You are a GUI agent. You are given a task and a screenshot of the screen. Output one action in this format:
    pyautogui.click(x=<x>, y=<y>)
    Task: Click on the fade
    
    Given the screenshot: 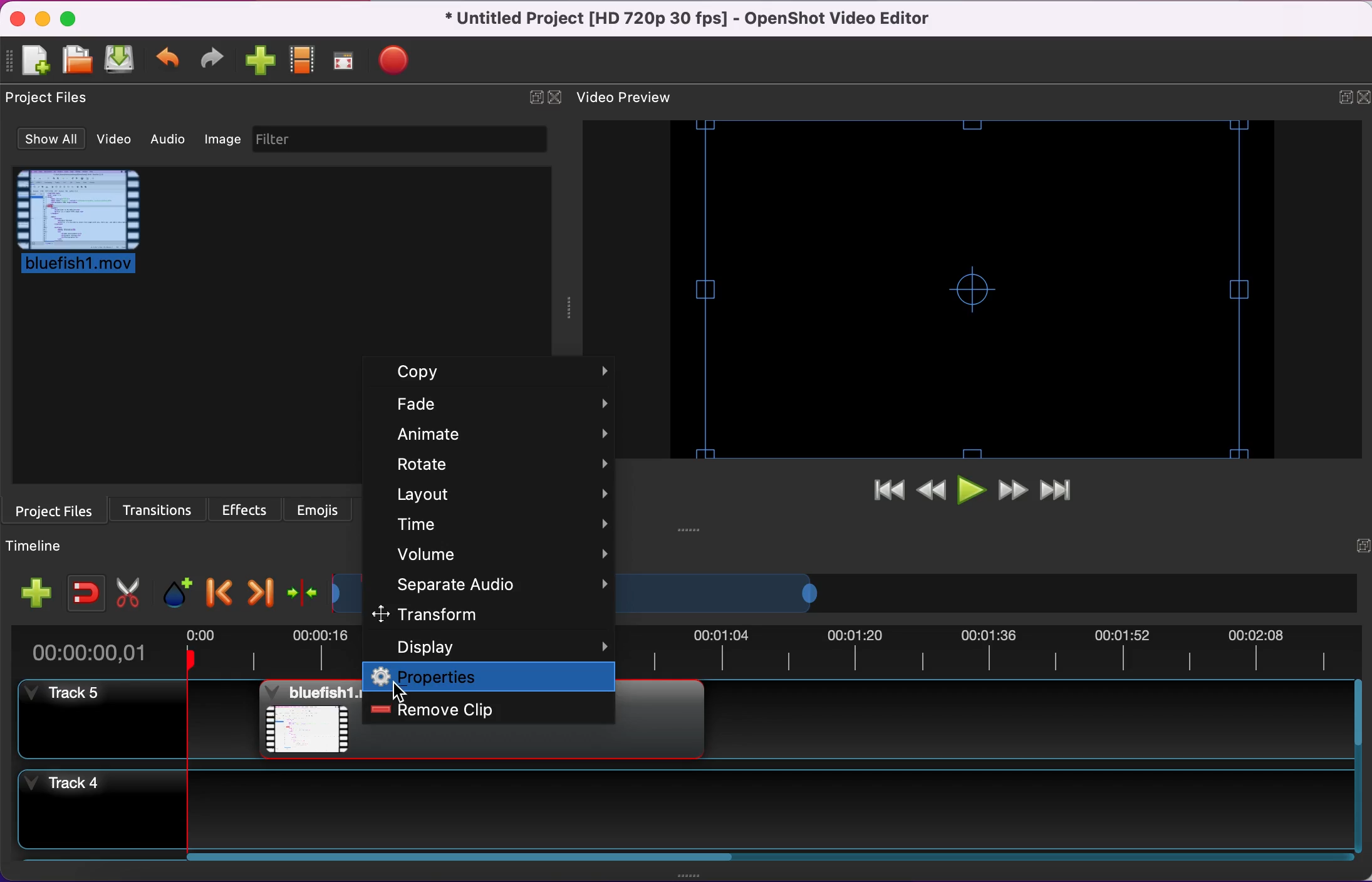 What is the action you would take?
    pyautogui.click(x=500, y=406)
    